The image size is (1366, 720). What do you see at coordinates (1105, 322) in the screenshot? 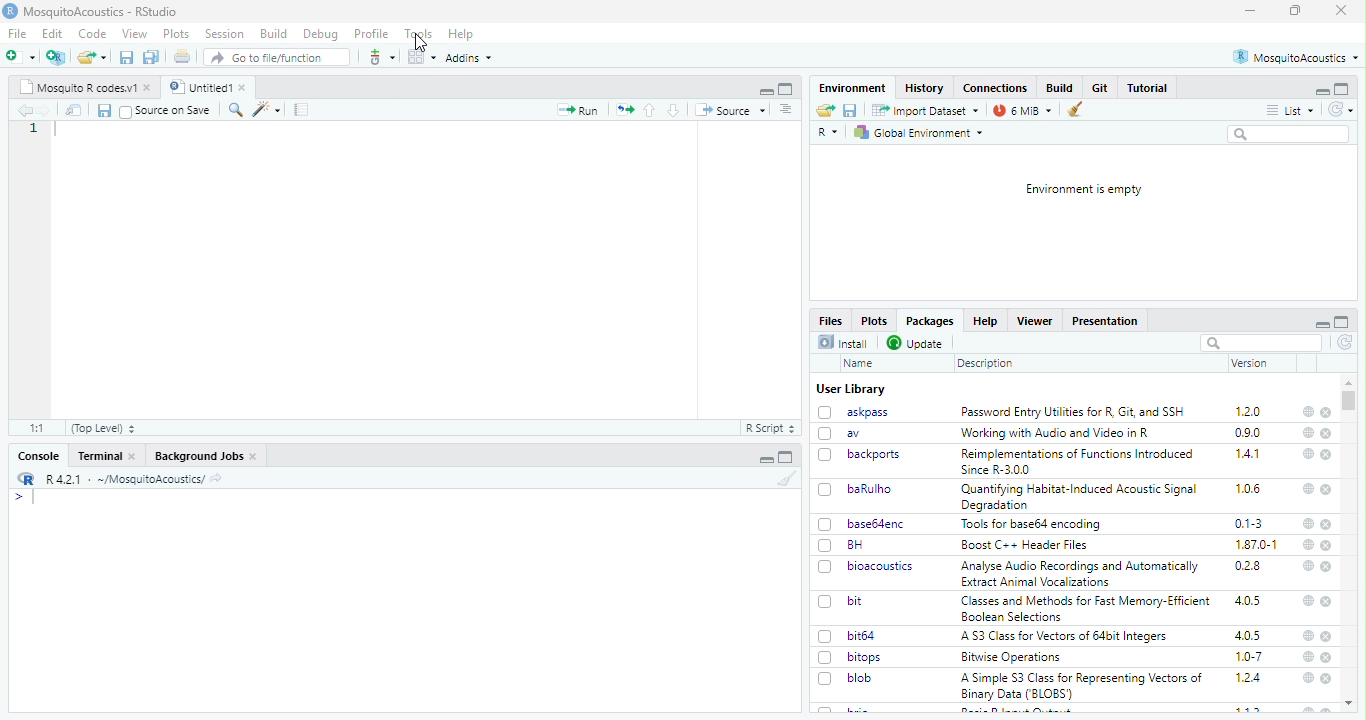
I see `Presentation` at bounding box center [1105, 322].